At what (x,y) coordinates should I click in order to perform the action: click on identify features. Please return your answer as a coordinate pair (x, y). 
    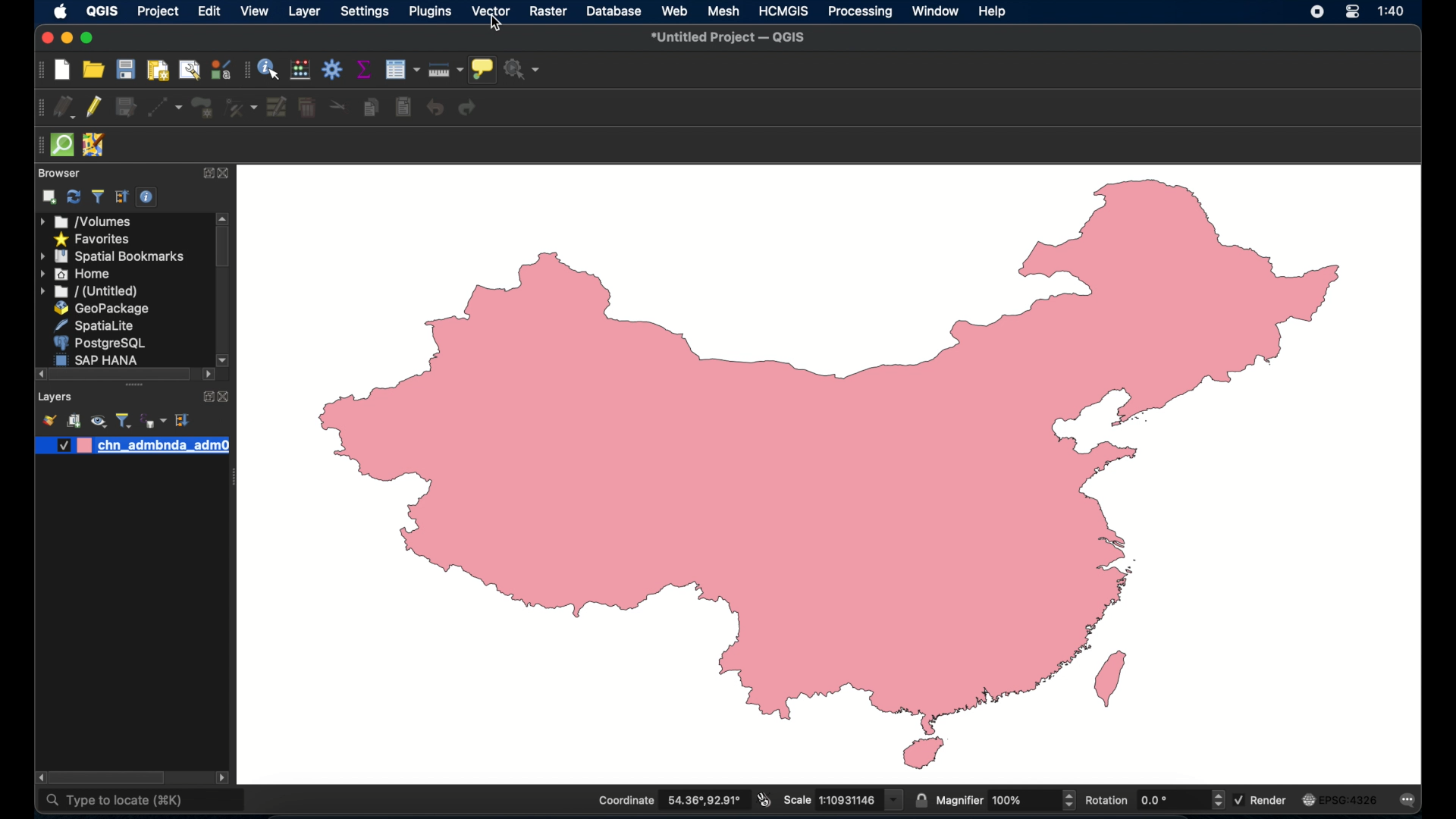
    Looking at the image, I should click on (269, 69).